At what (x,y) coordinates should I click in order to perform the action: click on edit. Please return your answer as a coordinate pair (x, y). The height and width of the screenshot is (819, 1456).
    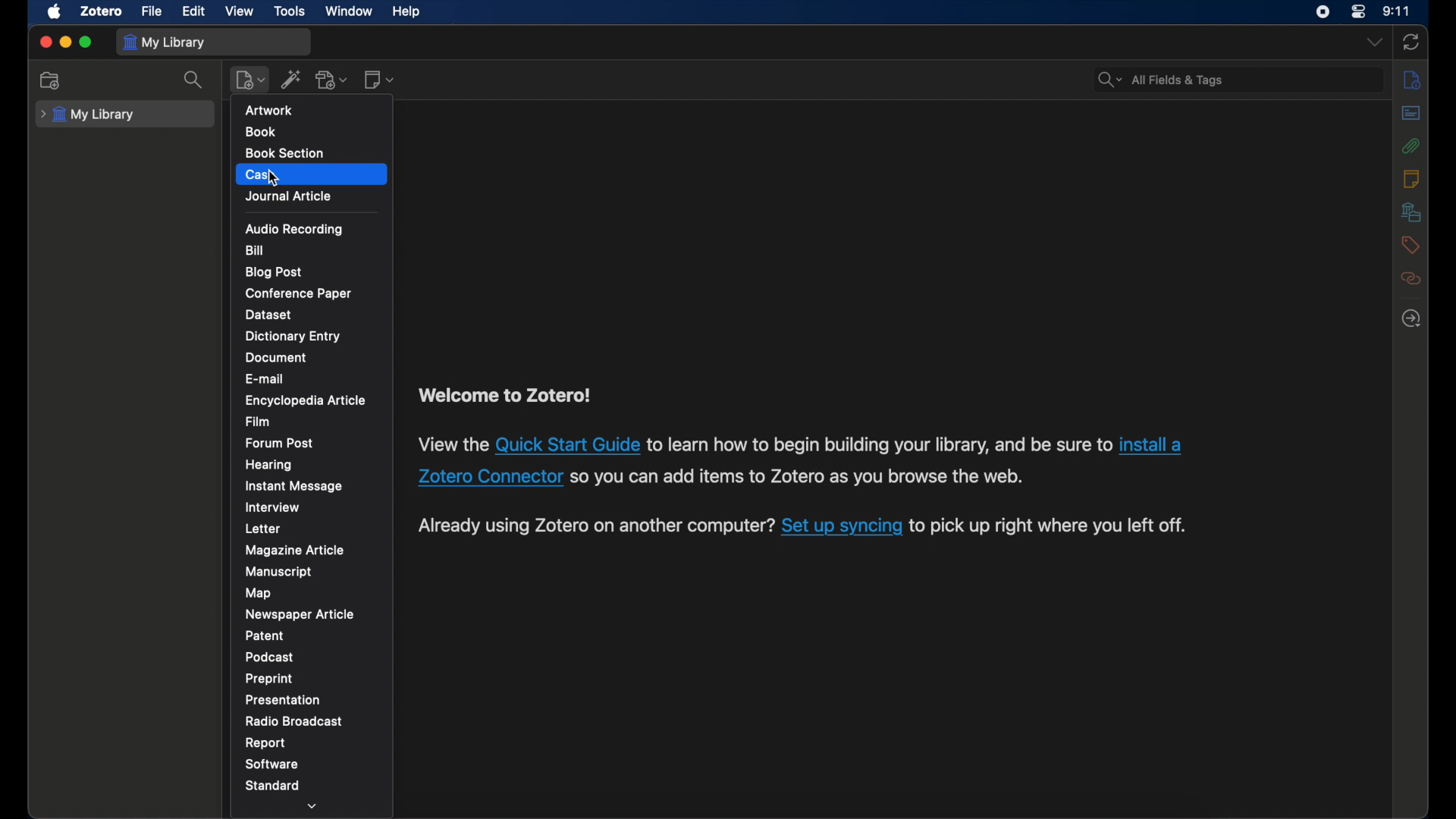
    Looking at the image, I should click on (193, 11).